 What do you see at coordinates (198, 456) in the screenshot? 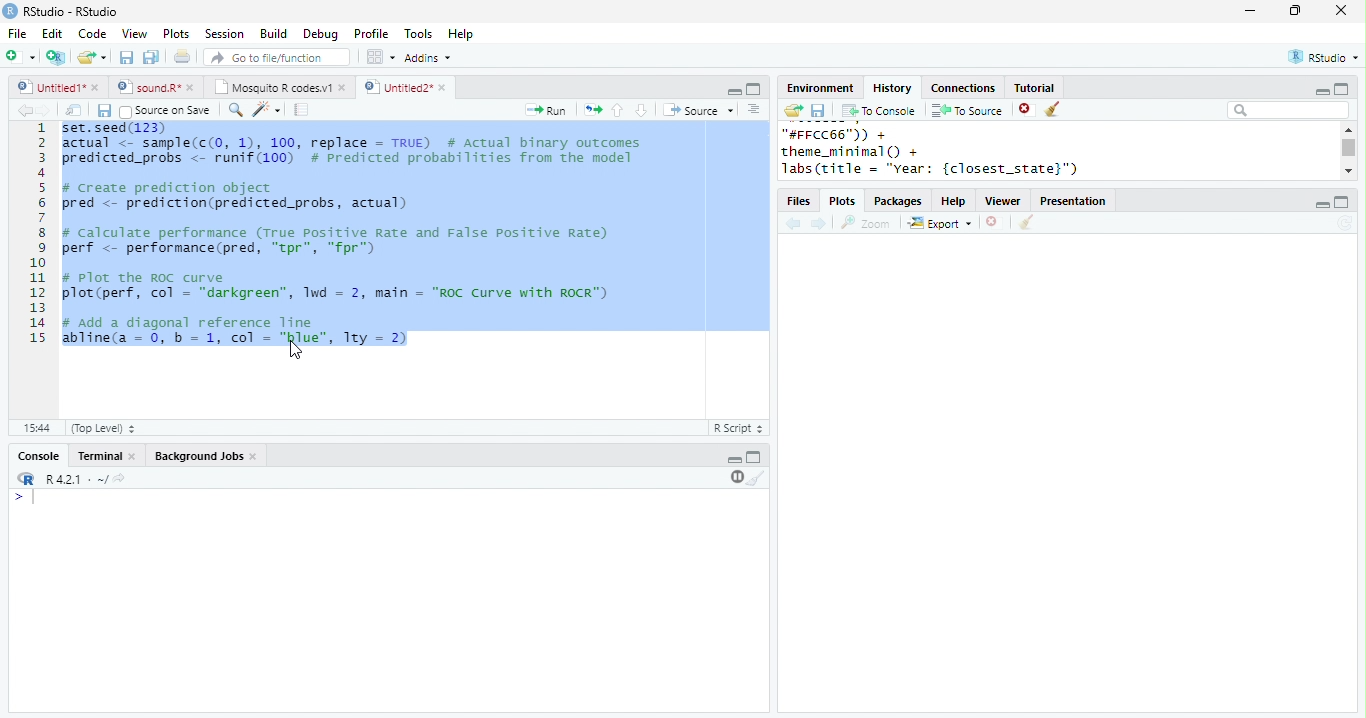
I see `Background Jobs` at bounding box center [198, 456].